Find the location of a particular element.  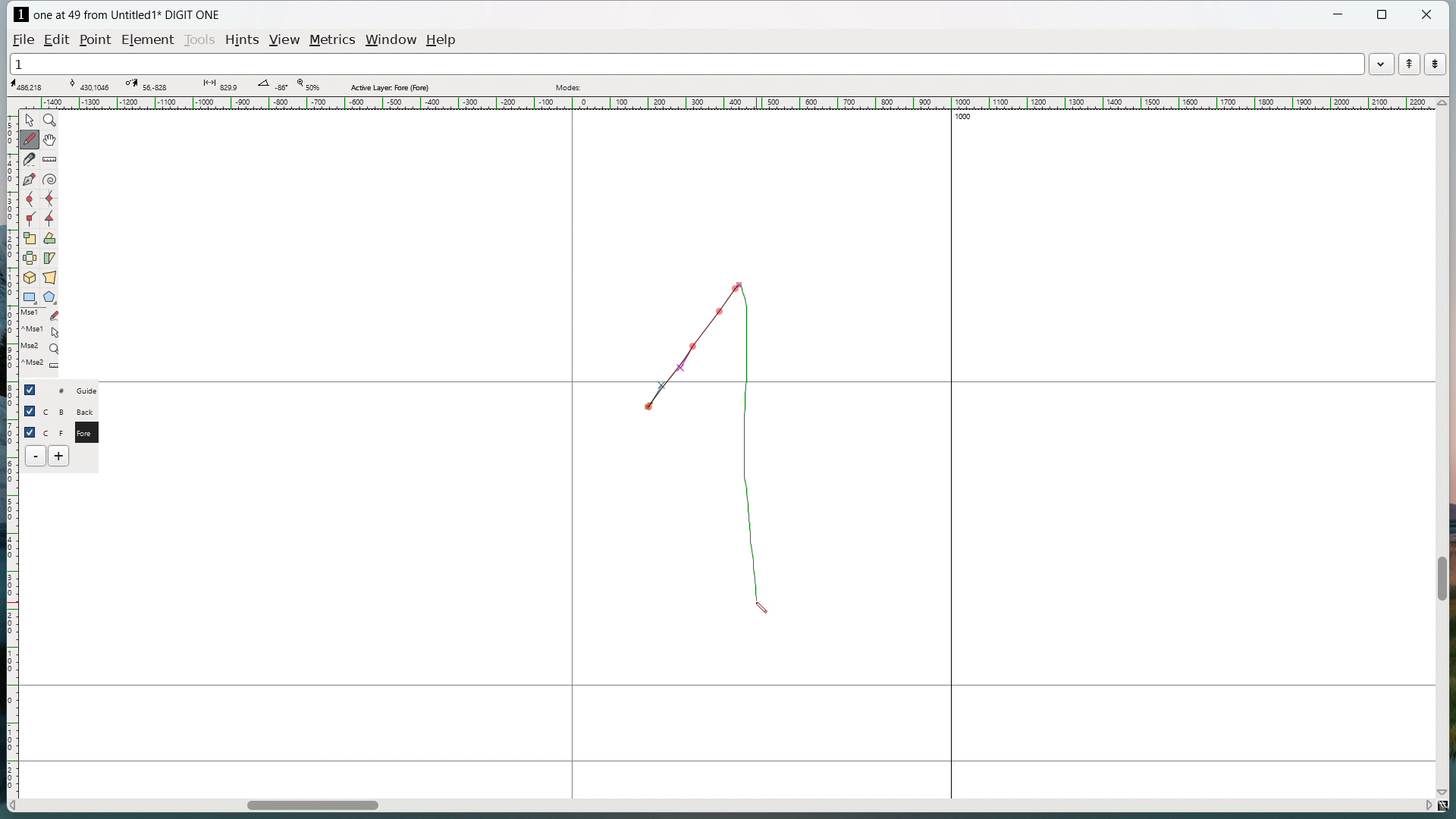

add layer is located at coordinates (60, 456).